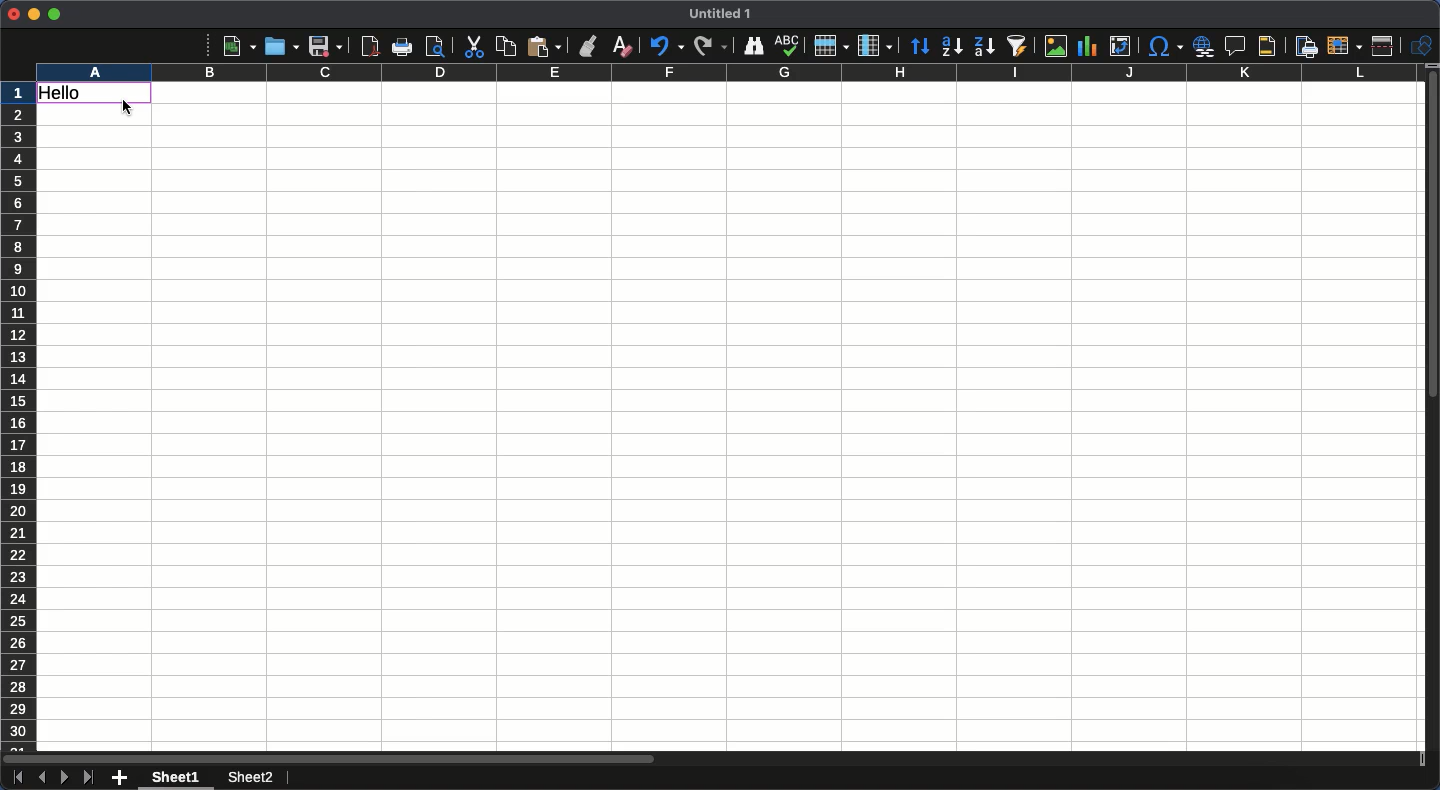  Describe the element at coordinates (120, 779) in the screenshot. I see `Add new sheet` at that location.